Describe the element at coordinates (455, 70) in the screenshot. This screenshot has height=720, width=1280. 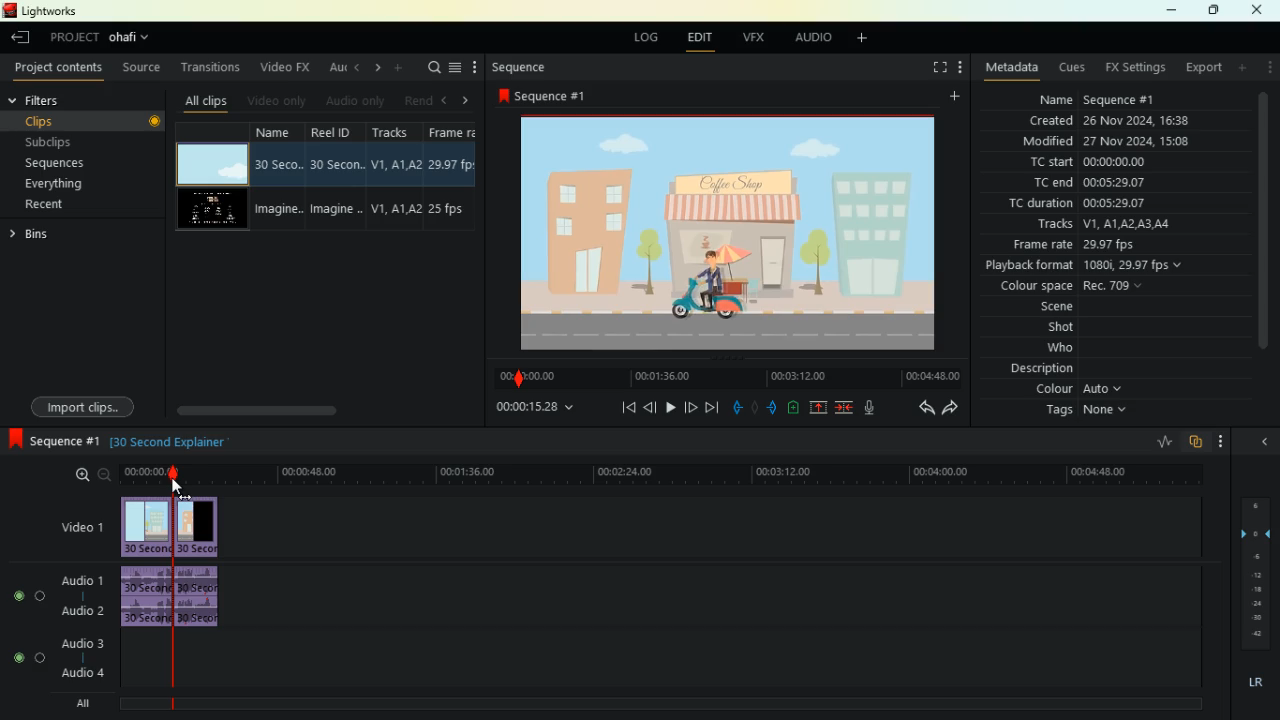
I see `menu` at that location.